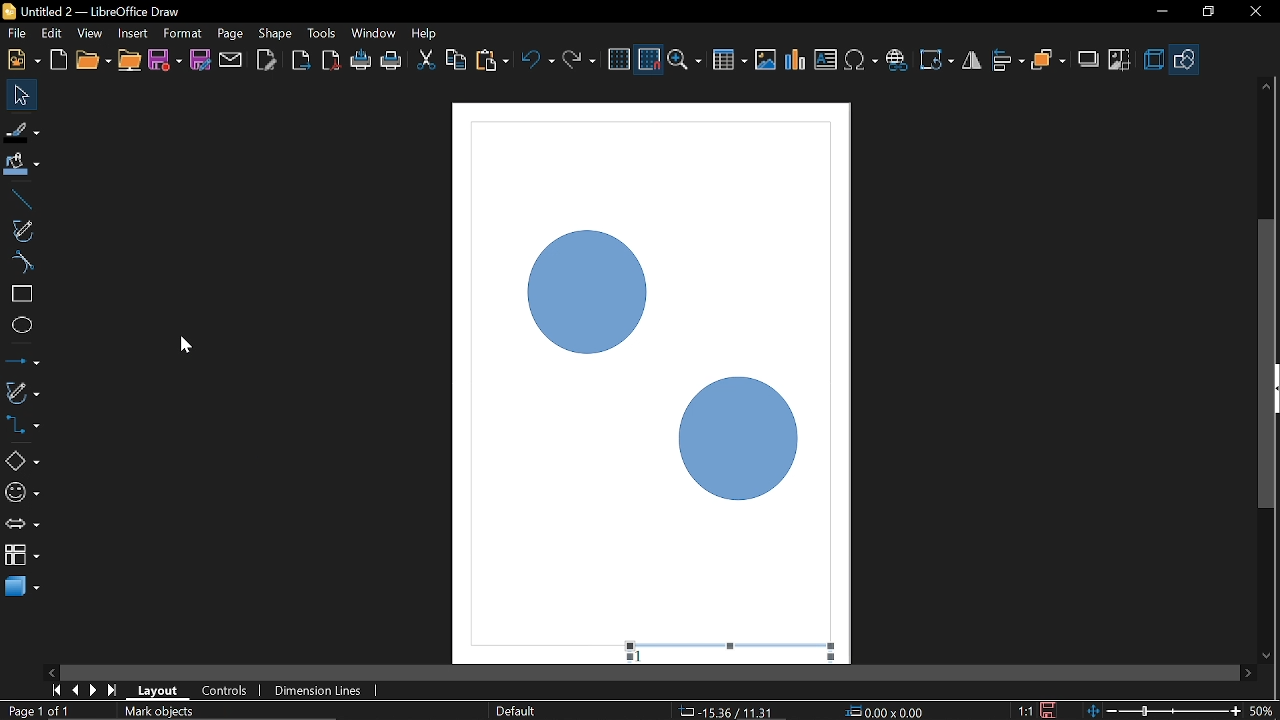  Describe the element at coordinates (92, 34) in the screenshot. I see `View` at that location.